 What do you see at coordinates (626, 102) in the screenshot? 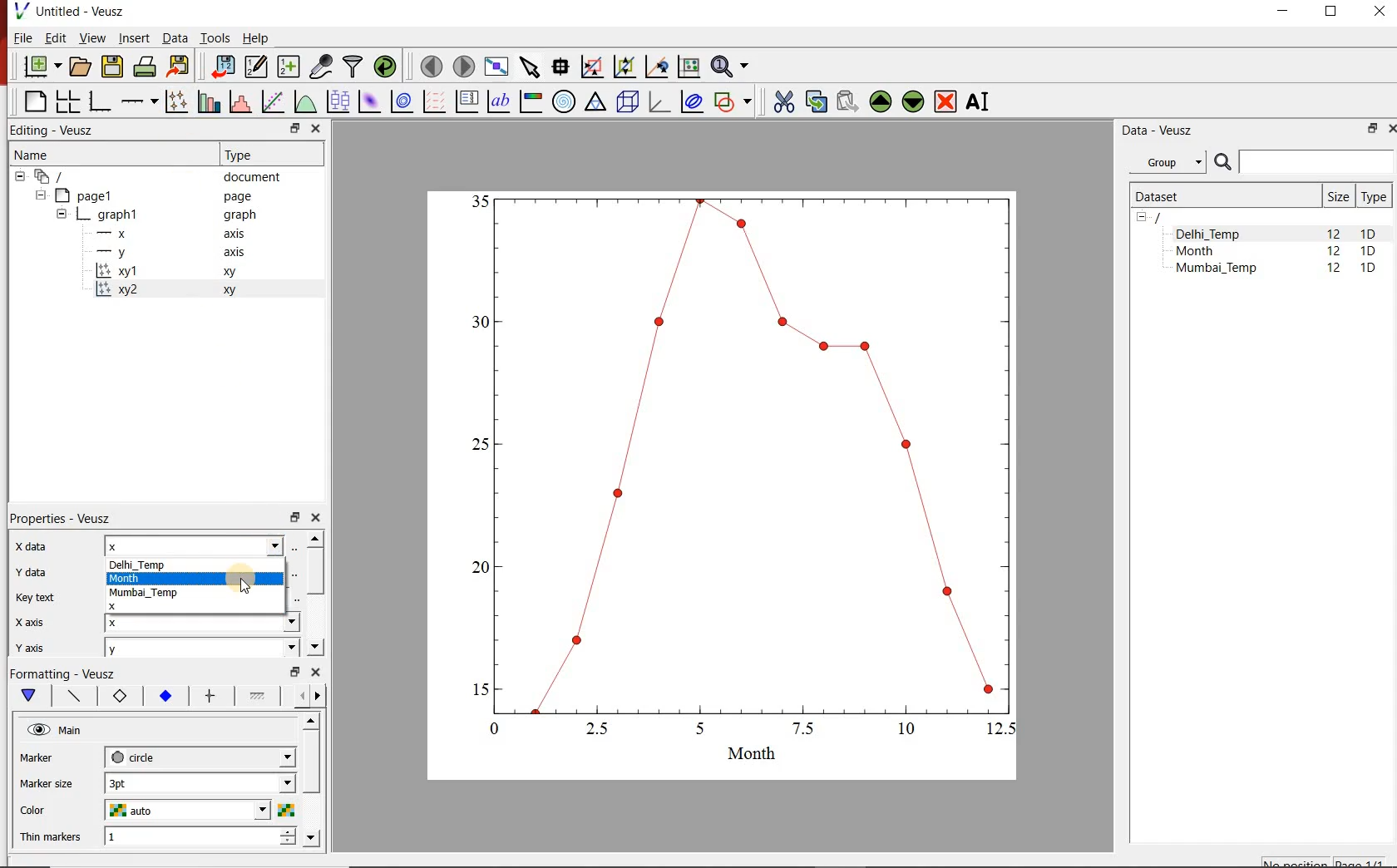
I see `3d scene` at bounding box center [626, 102].